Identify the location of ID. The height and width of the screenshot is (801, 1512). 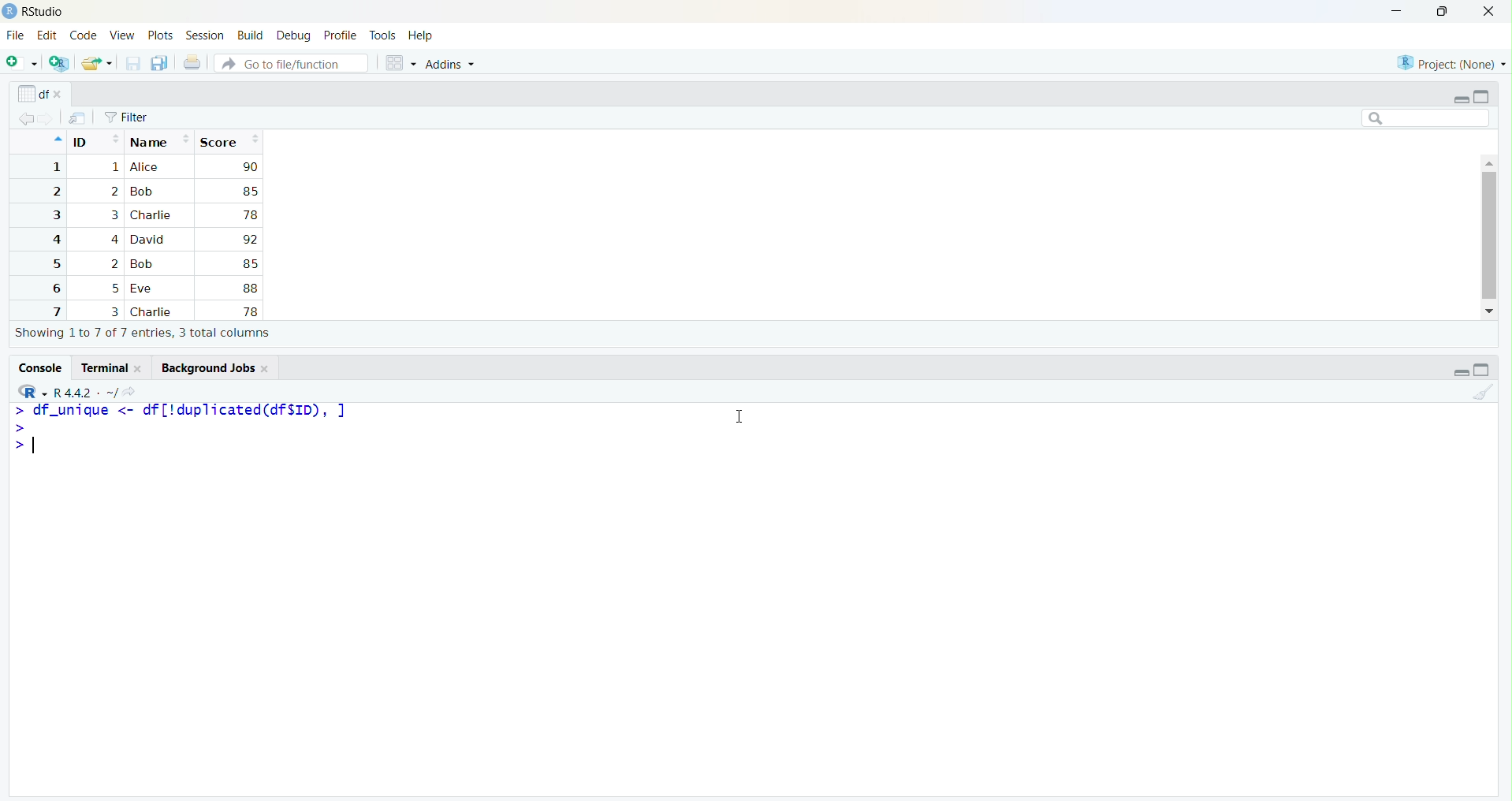
(95, 140).